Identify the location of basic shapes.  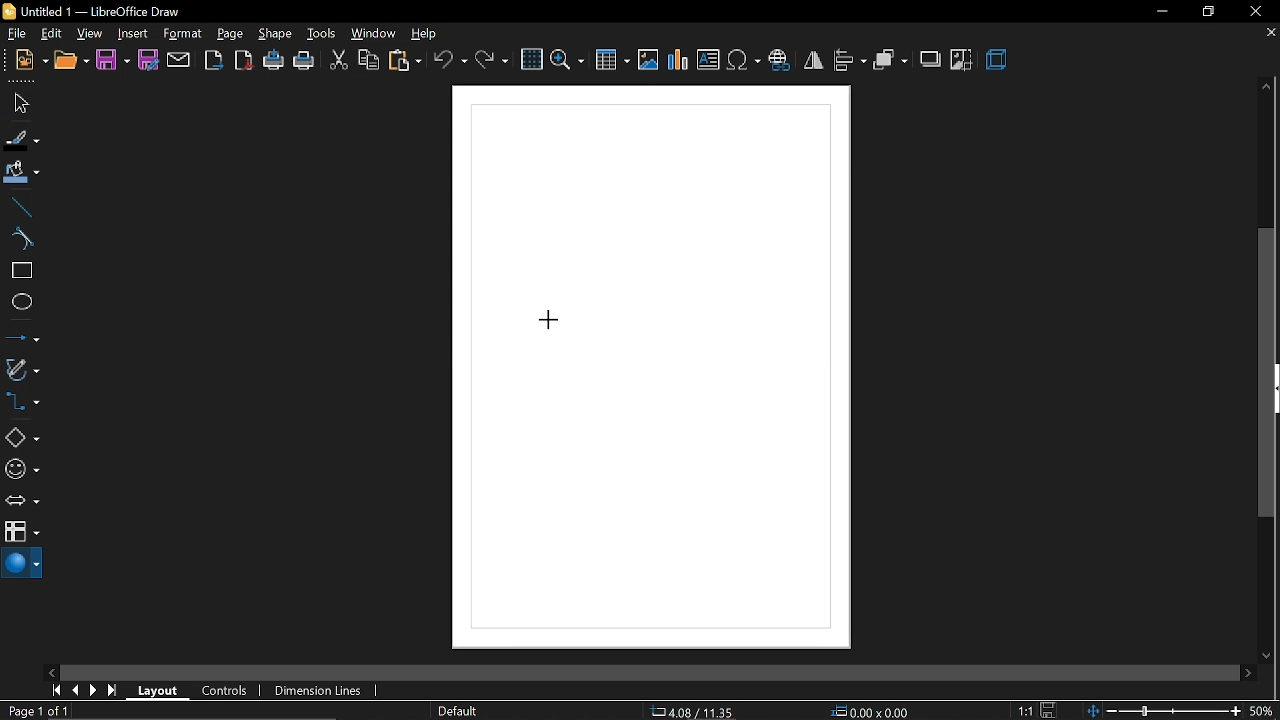
(23, 439).